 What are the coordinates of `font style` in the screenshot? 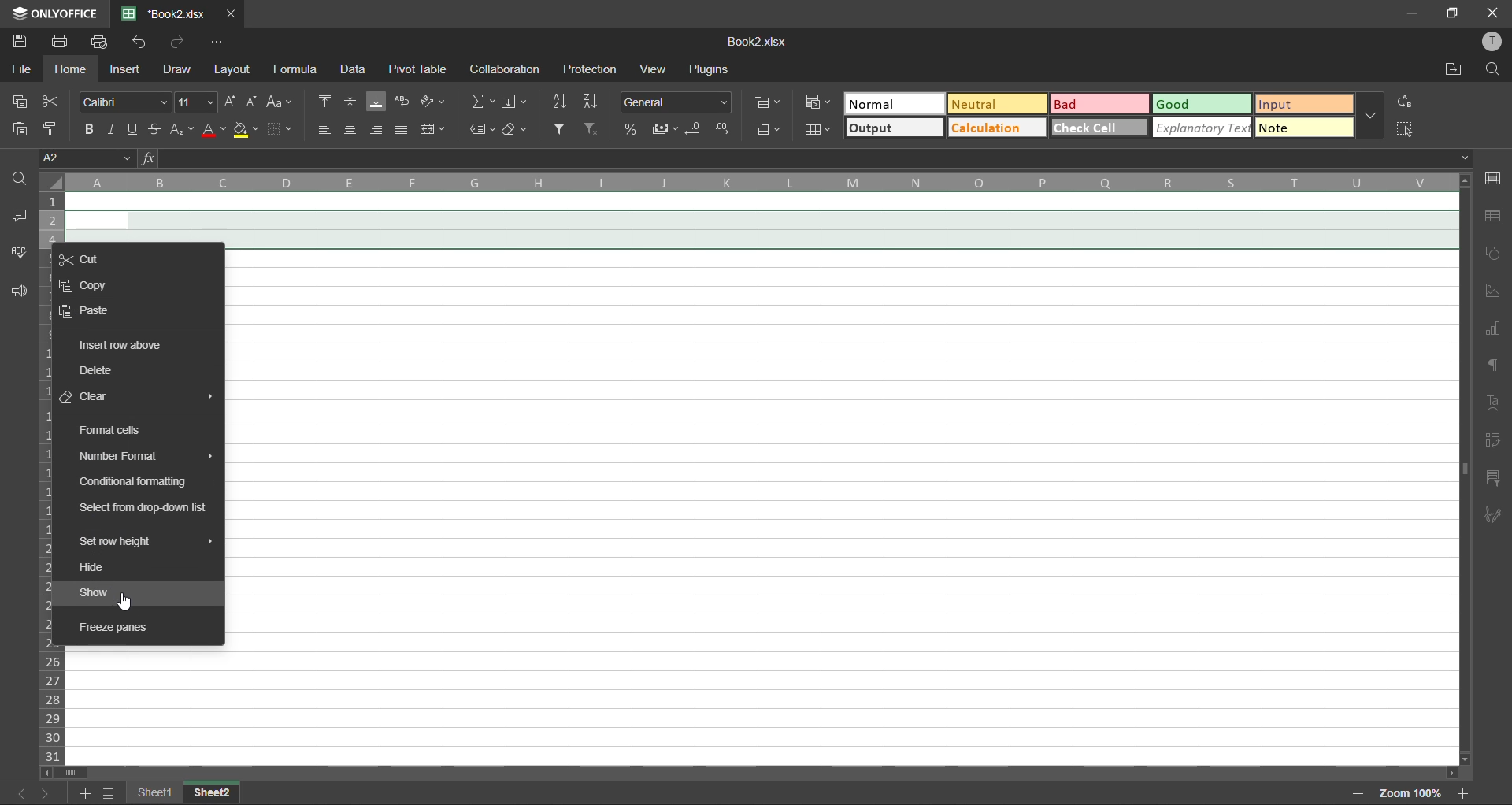 It's located at (126, 99).